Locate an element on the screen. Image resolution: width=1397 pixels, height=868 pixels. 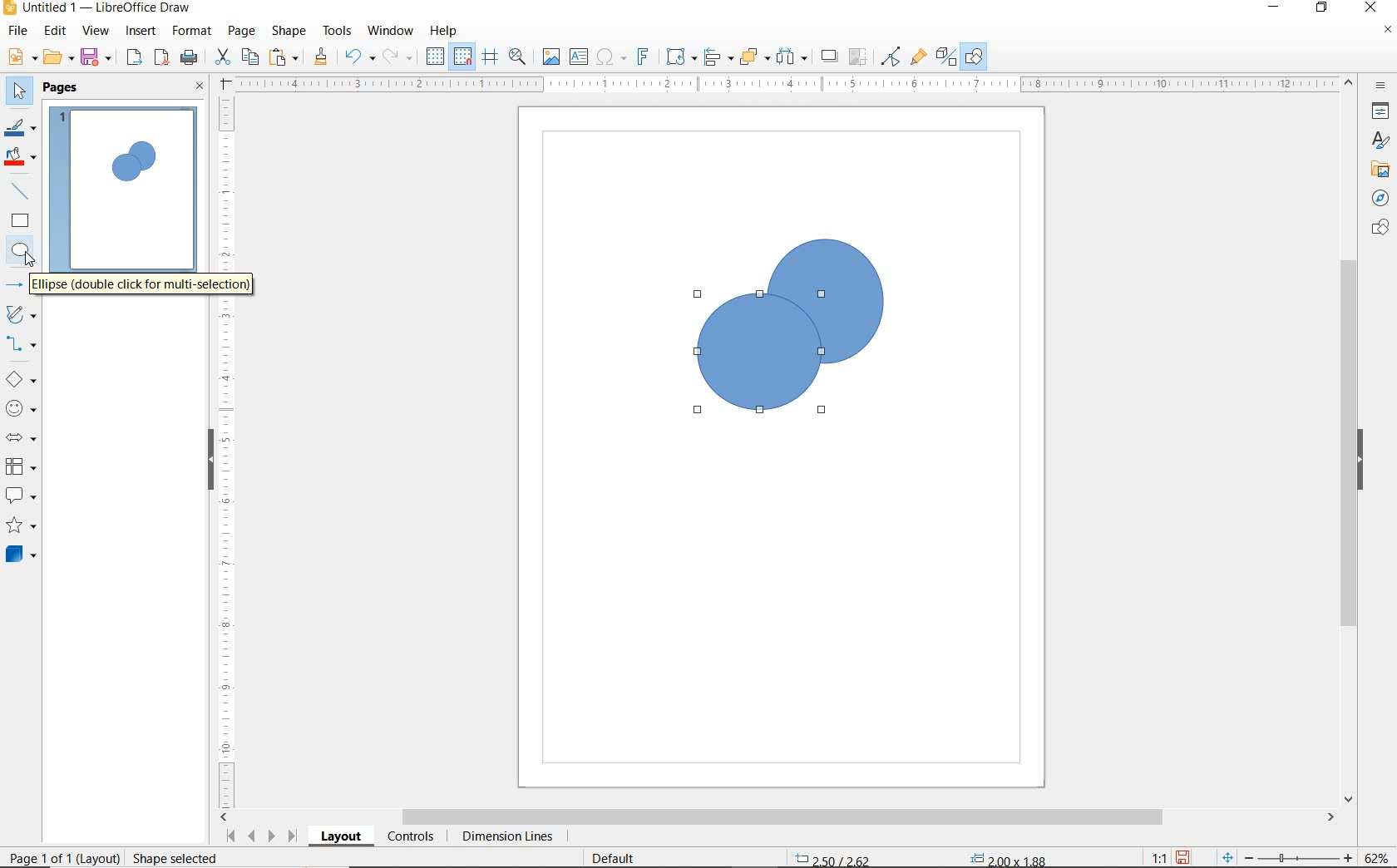
GALLERY is located at coordinates (1378, 170).